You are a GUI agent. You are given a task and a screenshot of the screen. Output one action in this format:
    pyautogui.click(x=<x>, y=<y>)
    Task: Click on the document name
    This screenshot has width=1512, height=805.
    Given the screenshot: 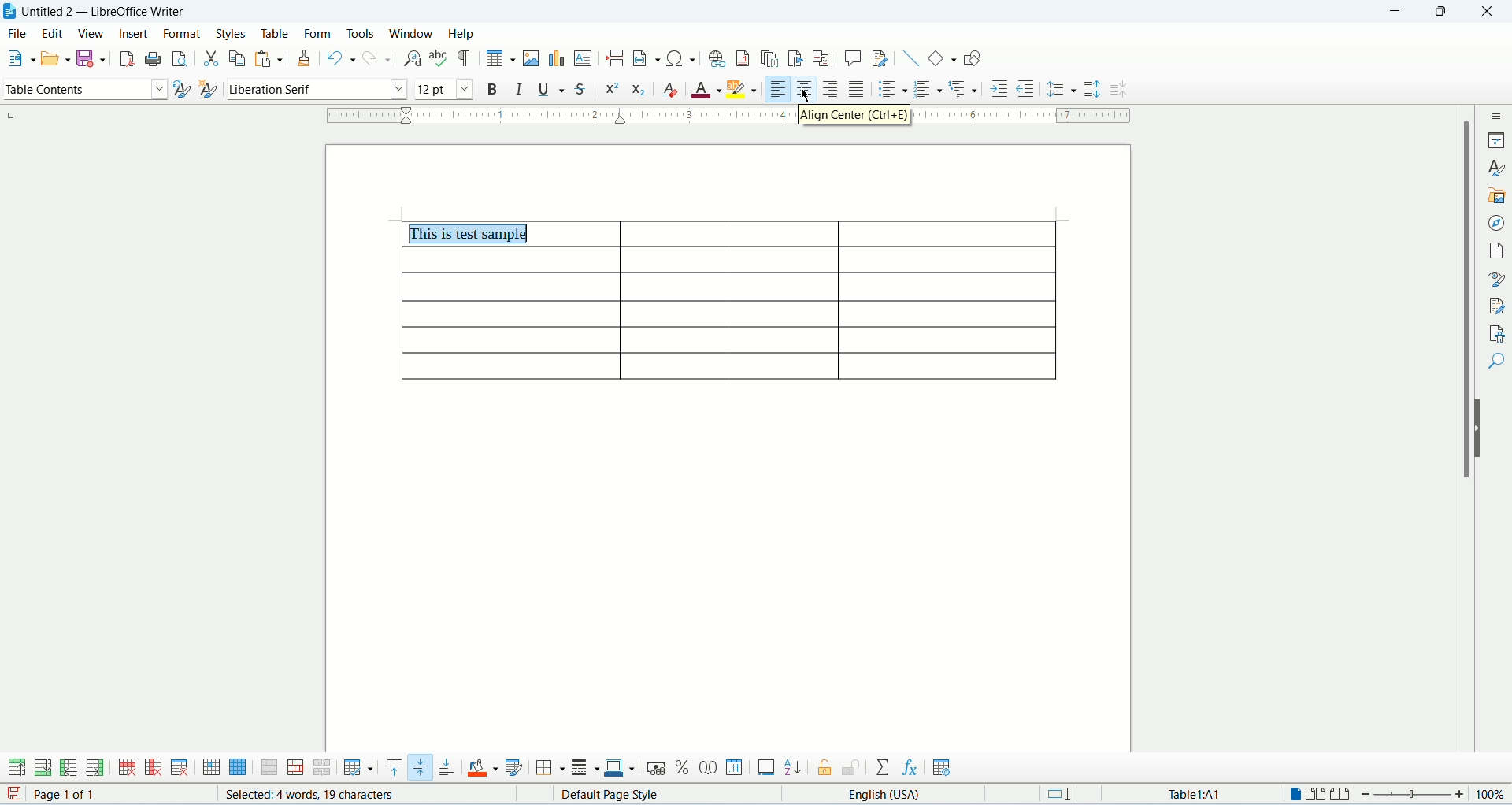 What is the action you would take?
    pyautogui.click(x=111, y=10)
    